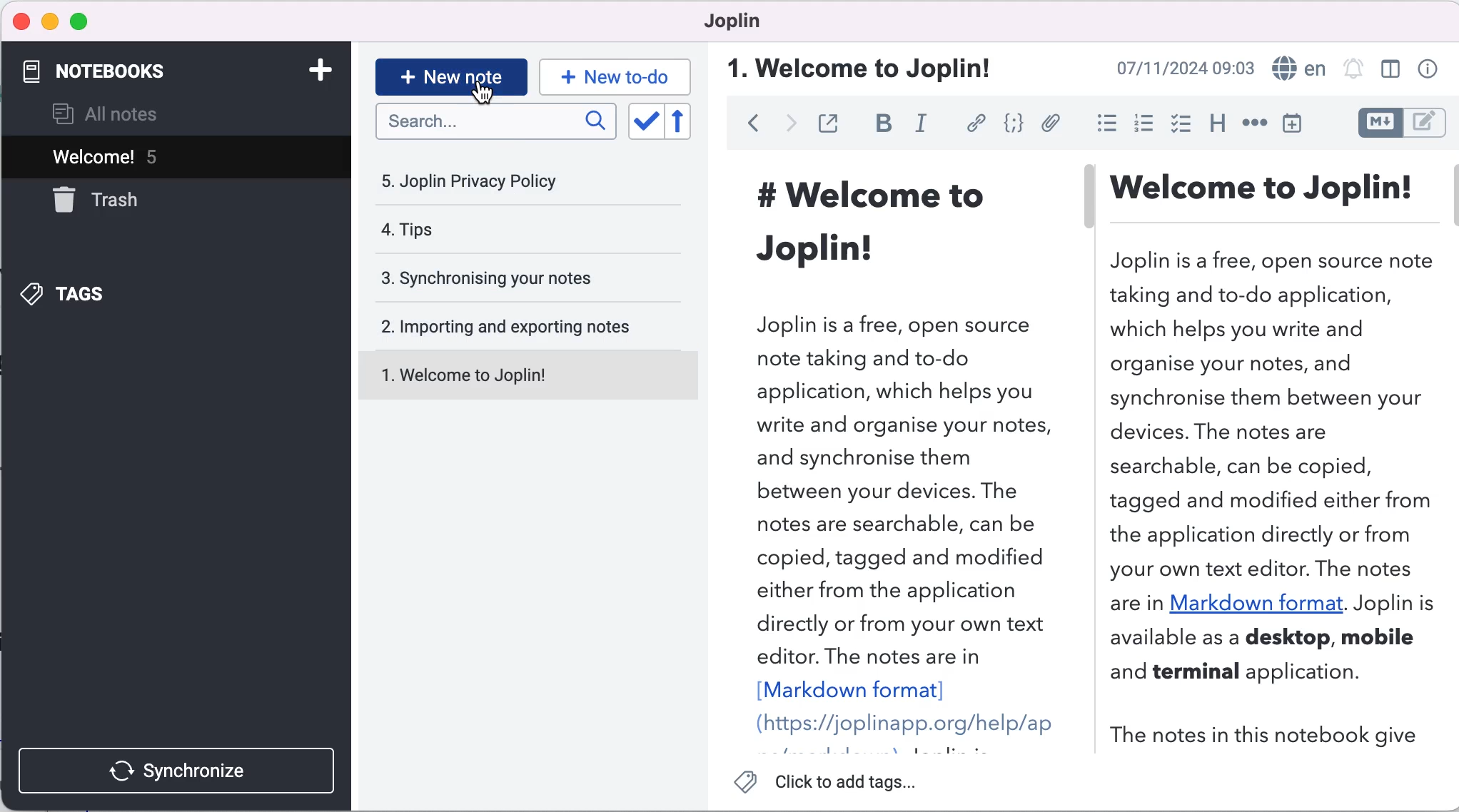 This screenshot has width=1459, height=812. Describe the element at coordinates (879, 126) in the screenshot. I see `bold` at that location.